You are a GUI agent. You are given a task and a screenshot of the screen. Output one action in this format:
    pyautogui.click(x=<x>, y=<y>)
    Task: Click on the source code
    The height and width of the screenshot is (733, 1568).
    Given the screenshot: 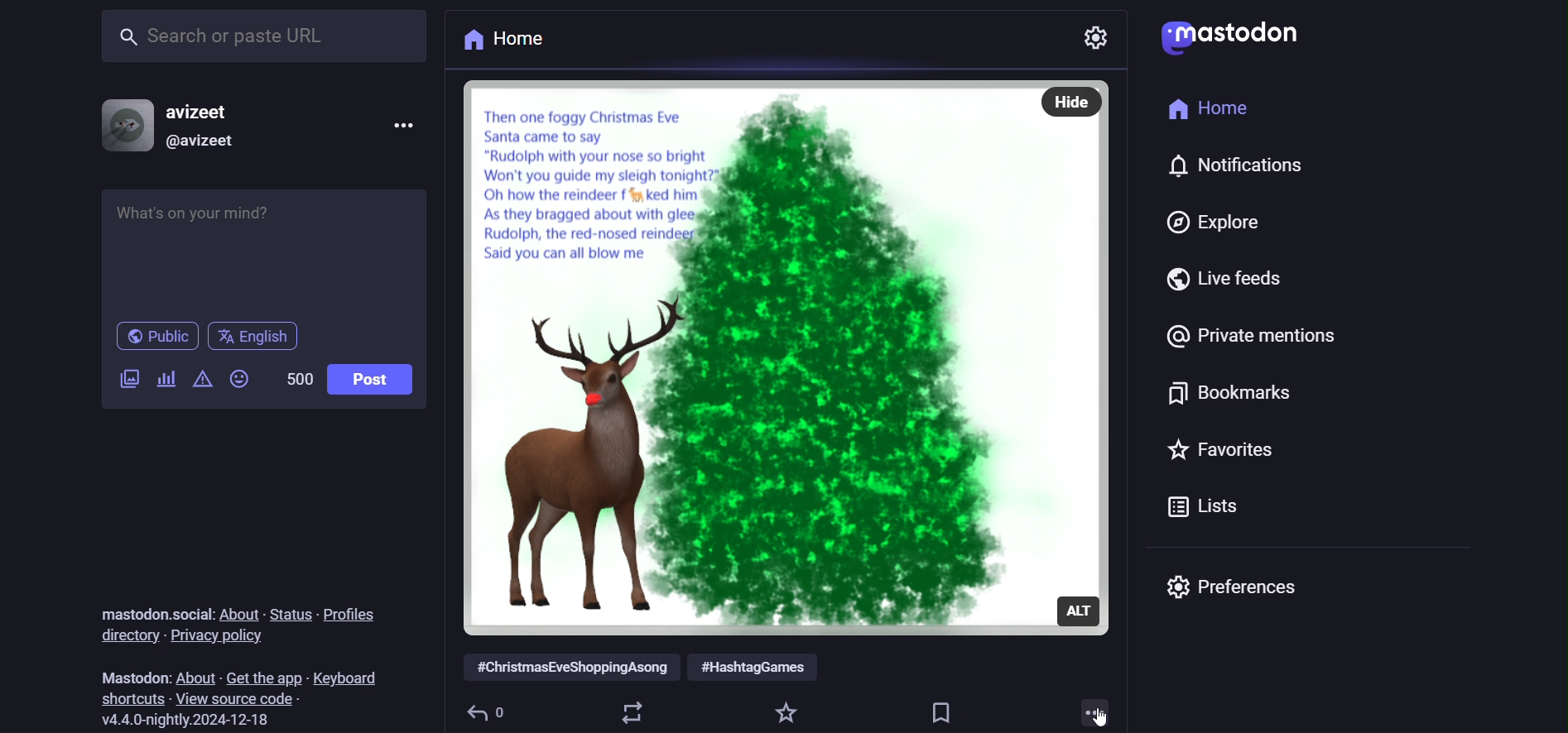 What is the action you would take?
    pyautogui.click(x=241, y=699)
    